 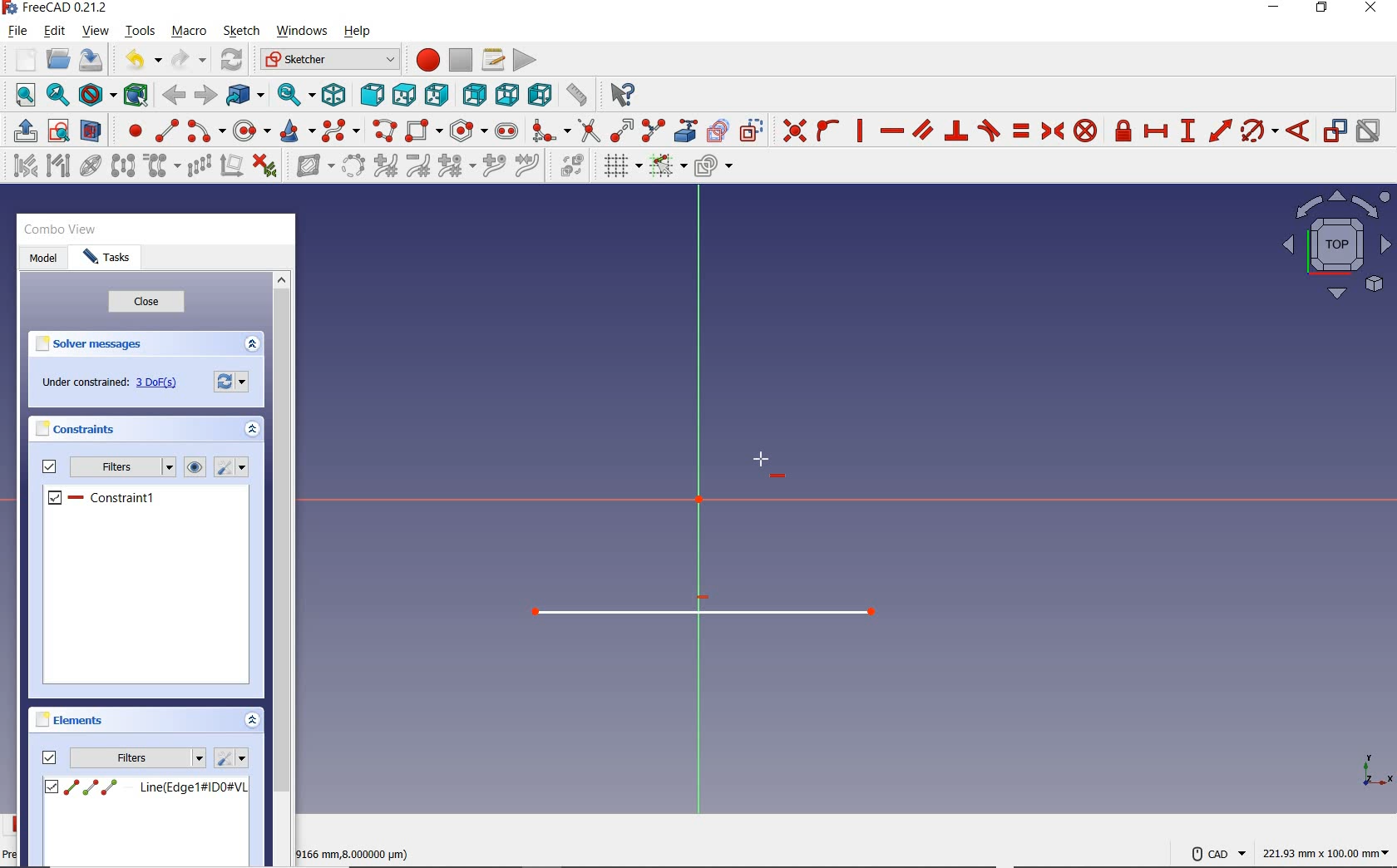 I want to click on SETTINGS, so click(x=233, y=468).